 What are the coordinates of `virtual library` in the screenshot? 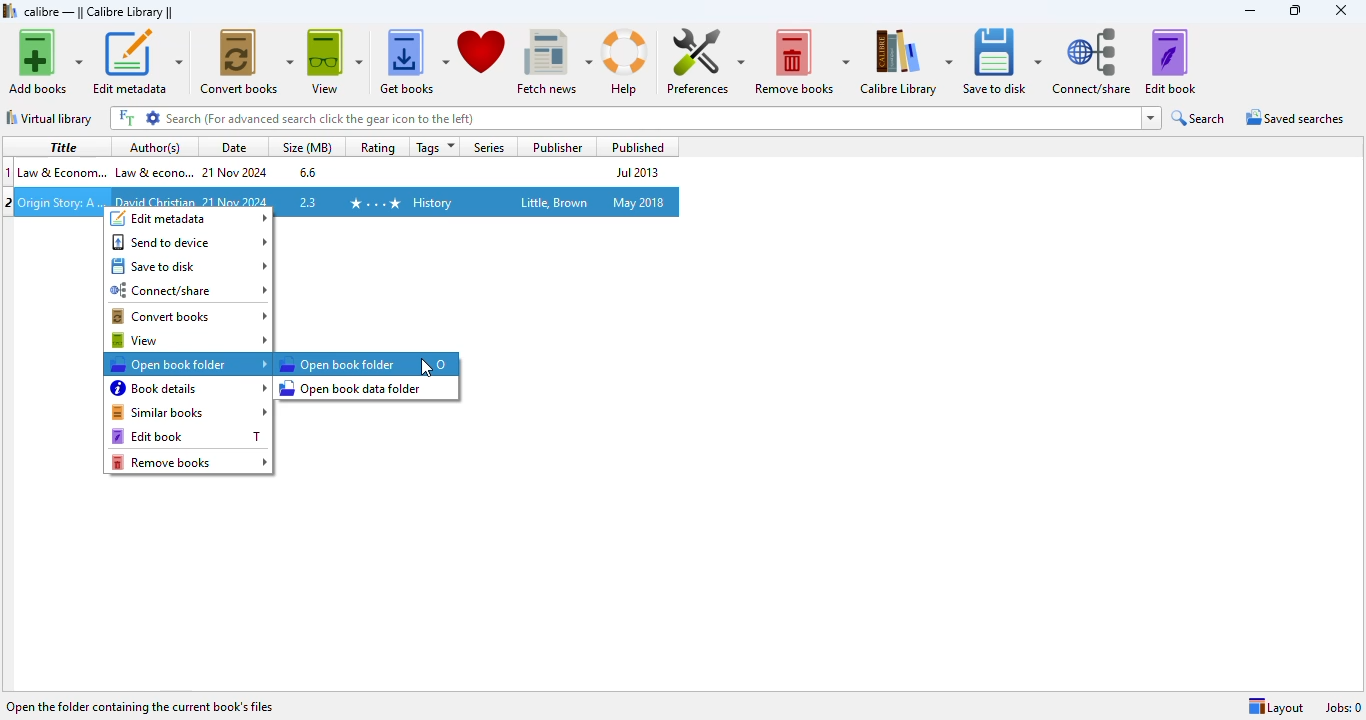 It's located at (50, 118).